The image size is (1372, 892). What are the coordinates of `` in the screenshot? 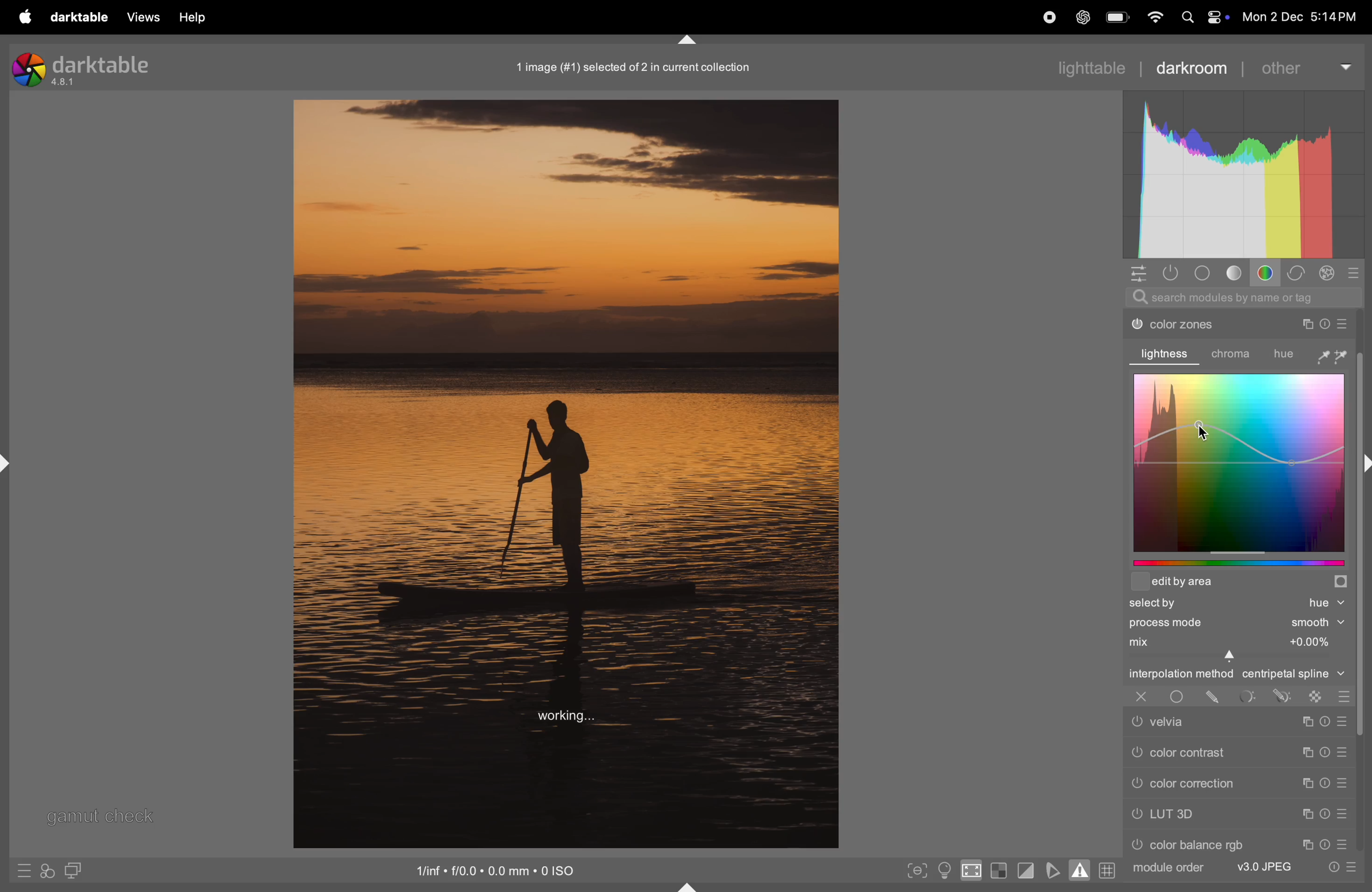 It's located at (1340, 697).